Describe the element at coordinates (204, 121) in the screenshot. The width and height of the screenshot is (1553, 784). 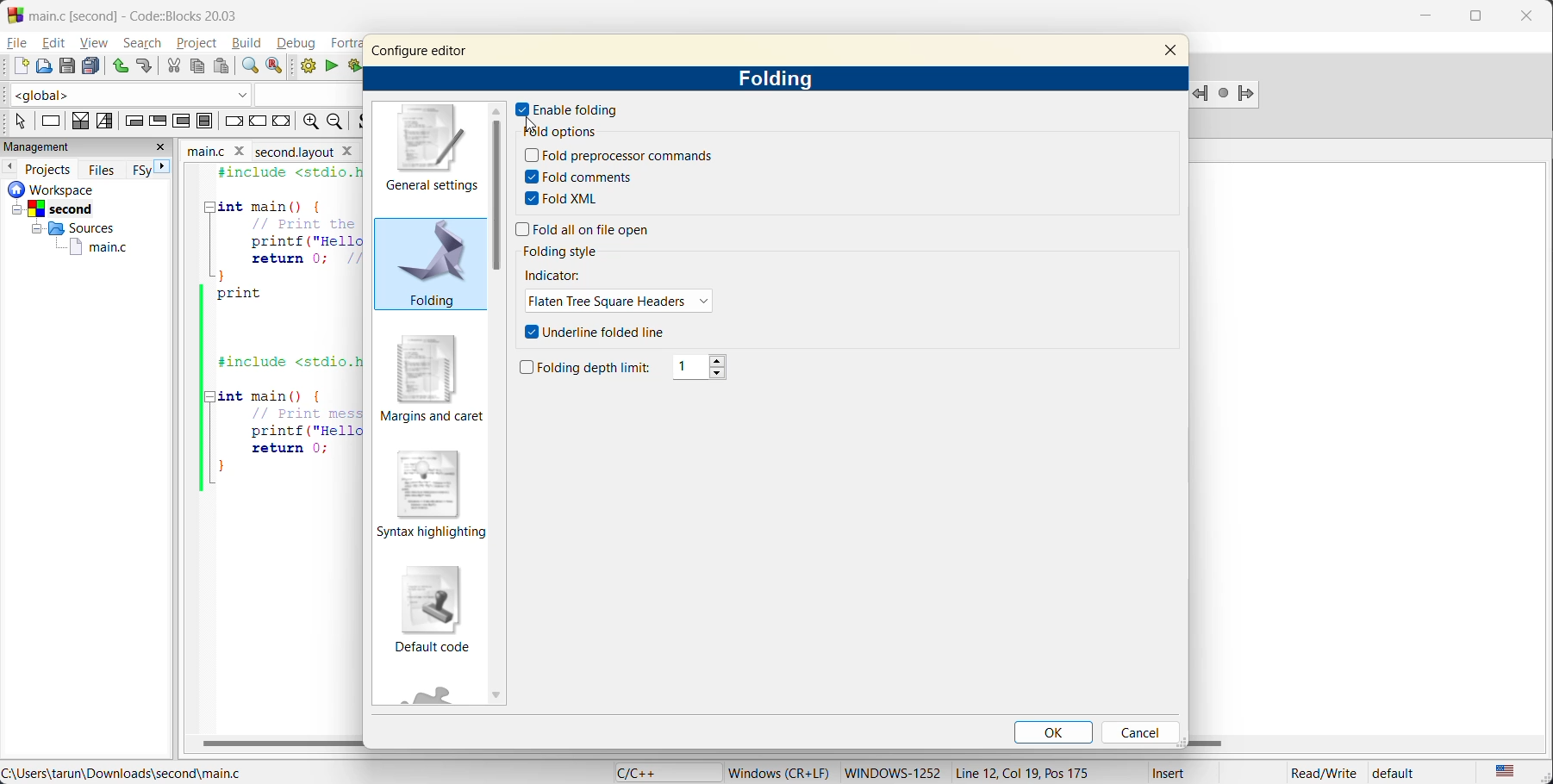
I see `block instruction` at that location.